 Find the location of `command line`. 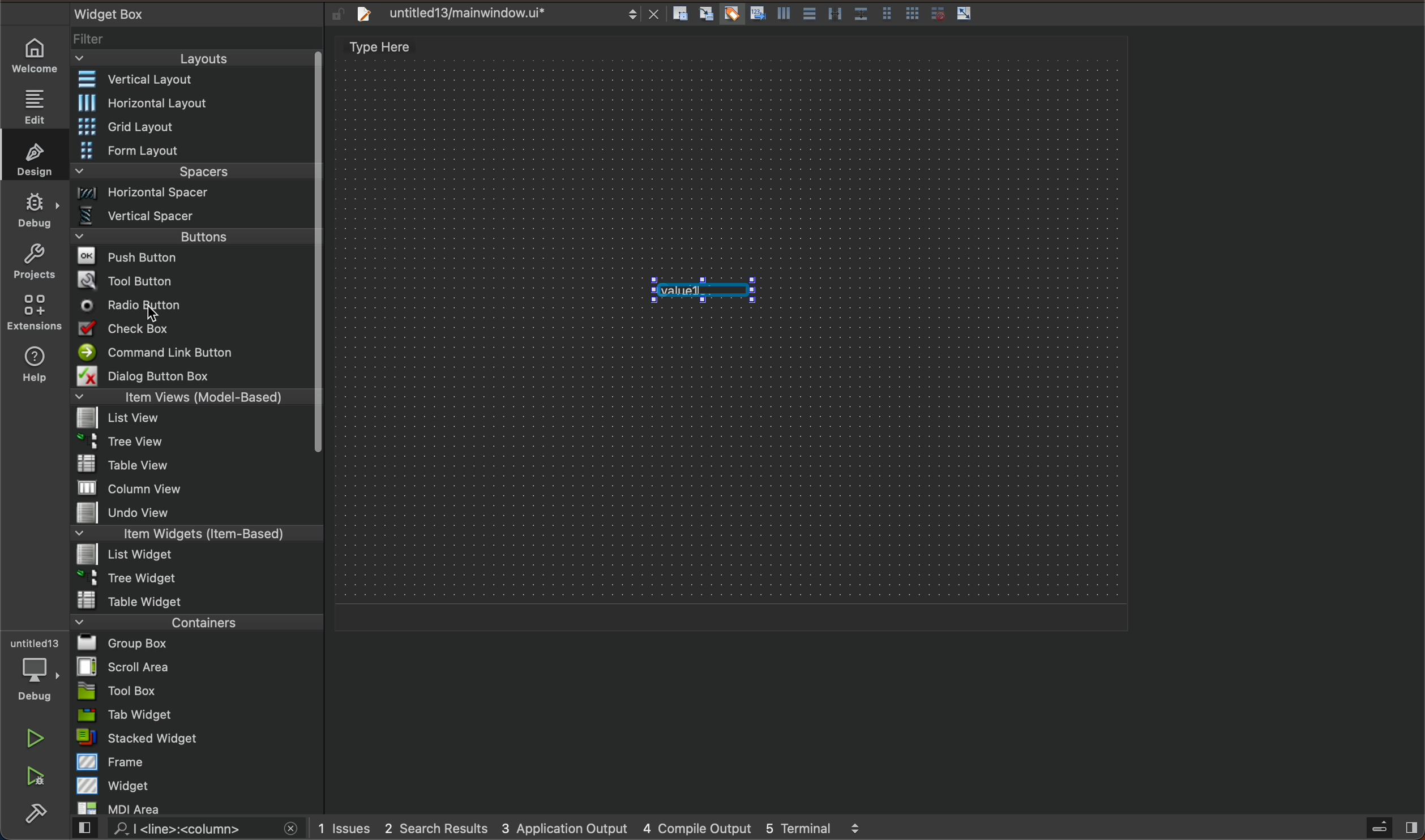

command line is located at coordinates (192, 353).